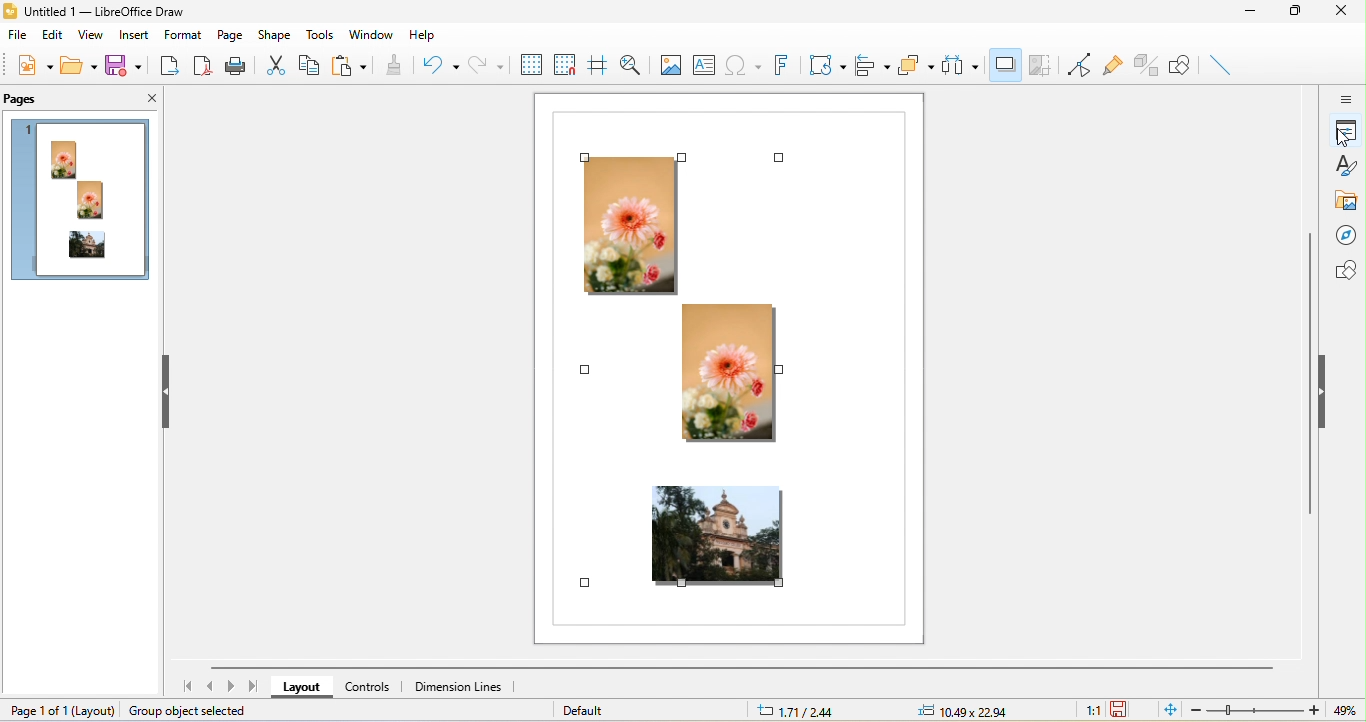 This screenshot has width=1366, height=722. Describe the element at coordinates (174, 69) in the screenshot. I see `export` at that location.